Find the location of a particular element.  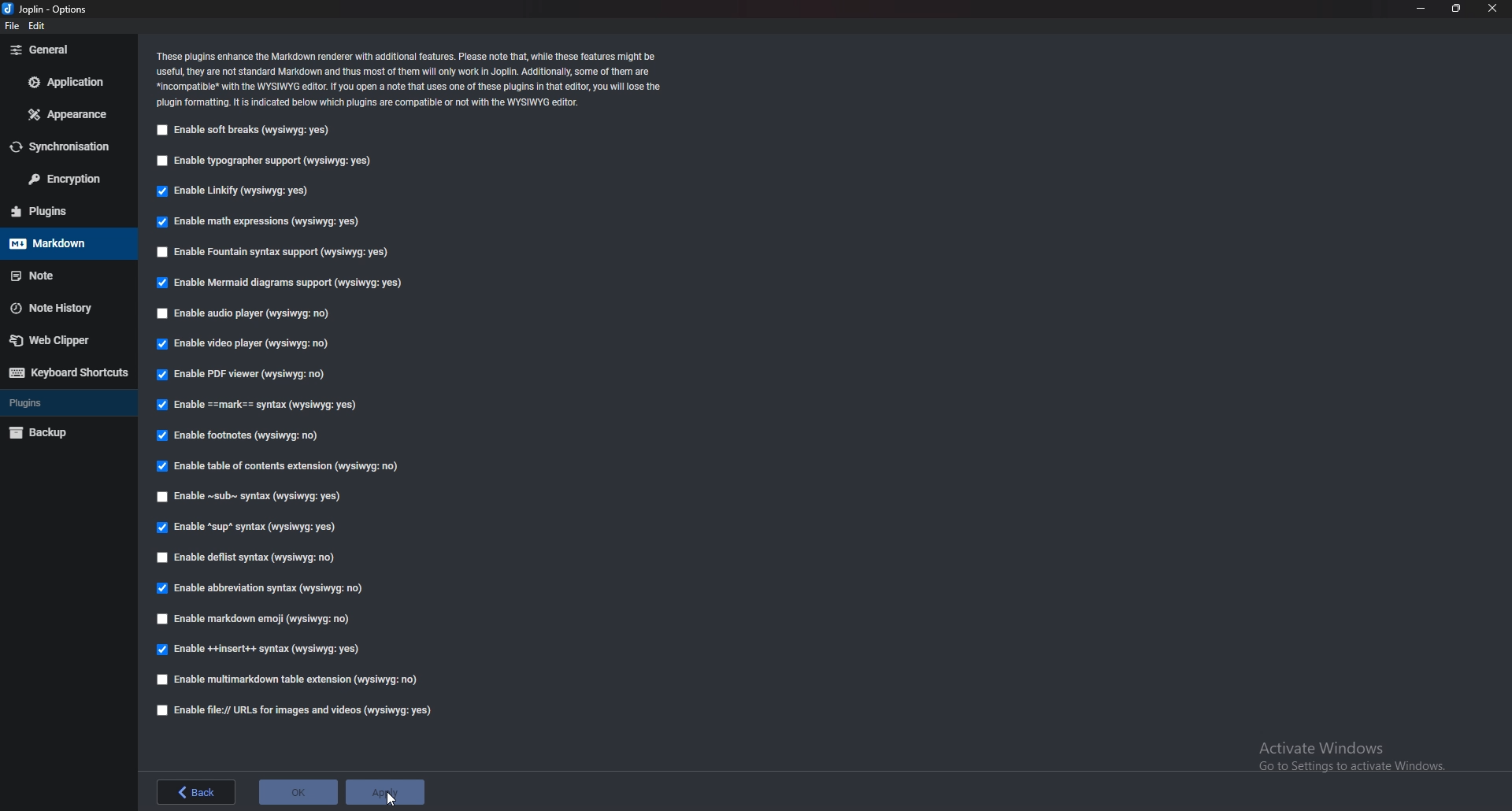

Info is located at coordinates (412, 77).